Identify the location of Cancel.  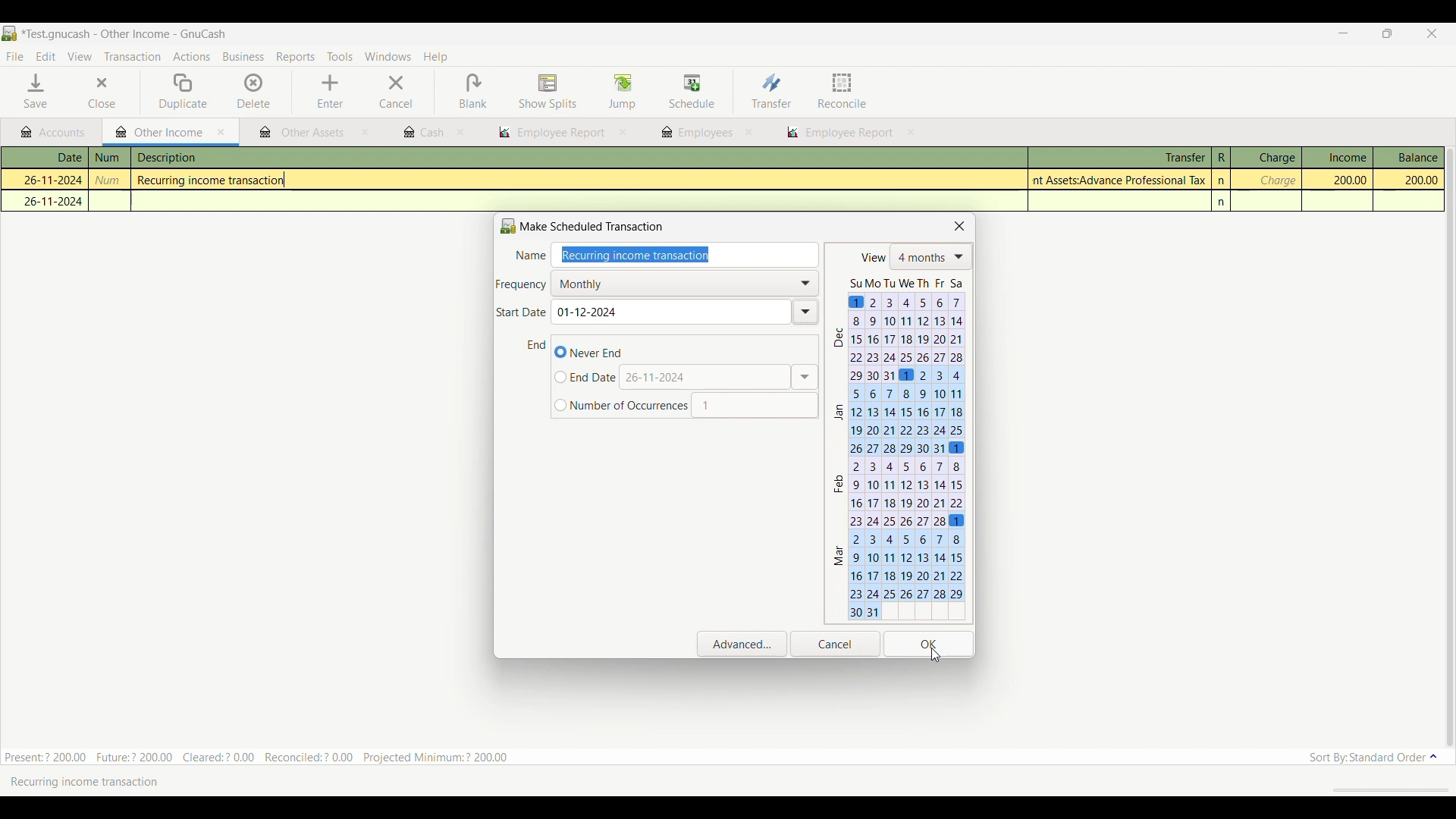
(396, 92).